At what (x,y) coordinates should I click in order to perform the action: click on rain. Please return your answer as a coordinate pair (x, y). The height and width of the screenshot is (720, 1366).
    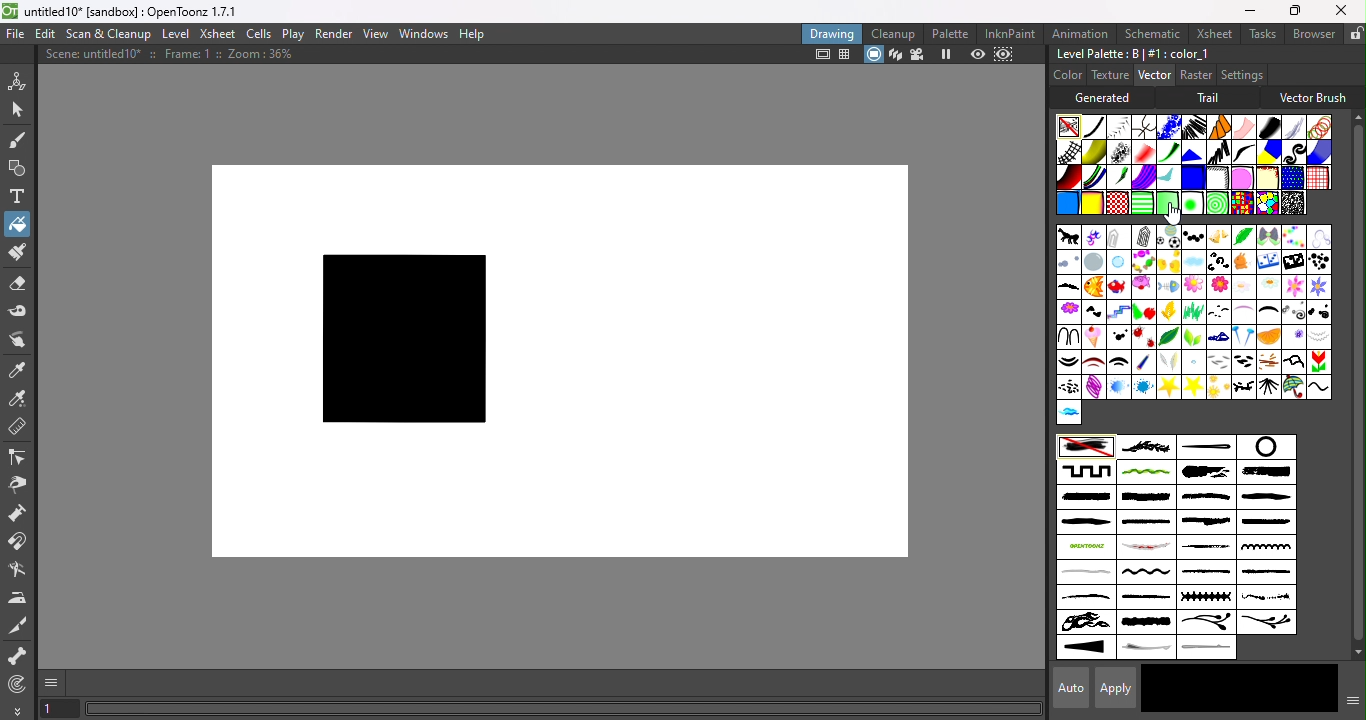
    Looking at the image, I should click on (1193, 361).